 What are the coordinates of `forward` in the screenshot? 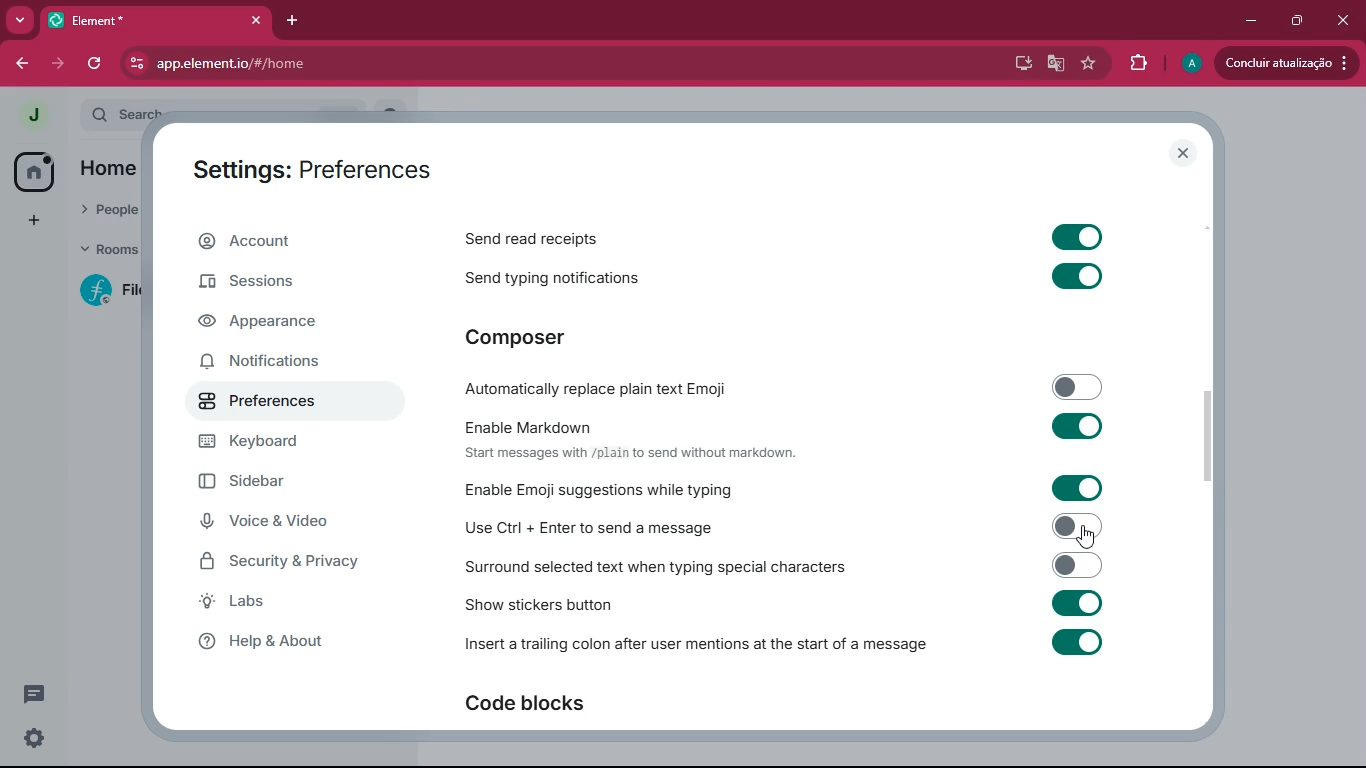 It's located at (60, 61).